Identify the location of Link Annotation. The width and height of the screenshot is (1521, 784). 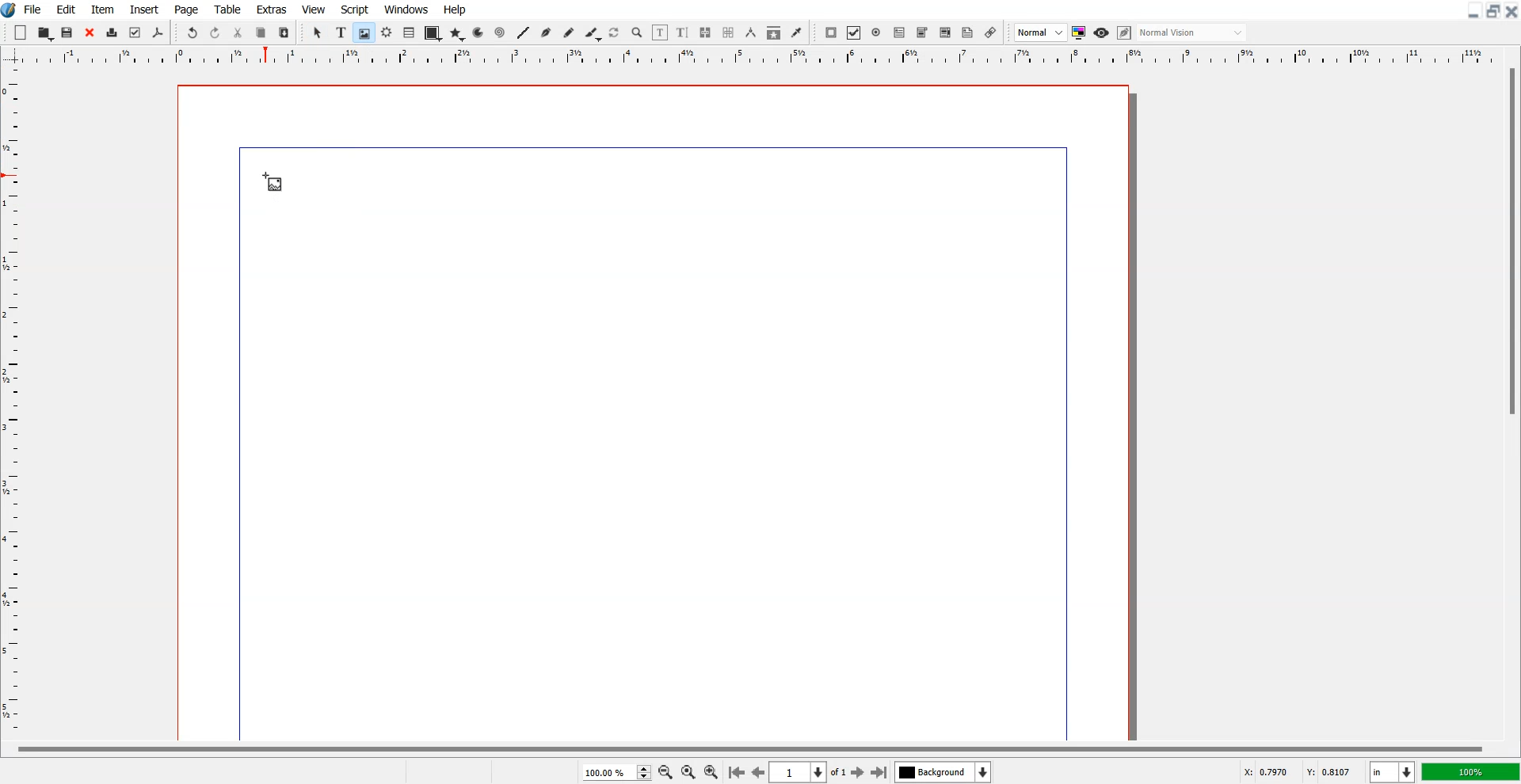
(991, 32).